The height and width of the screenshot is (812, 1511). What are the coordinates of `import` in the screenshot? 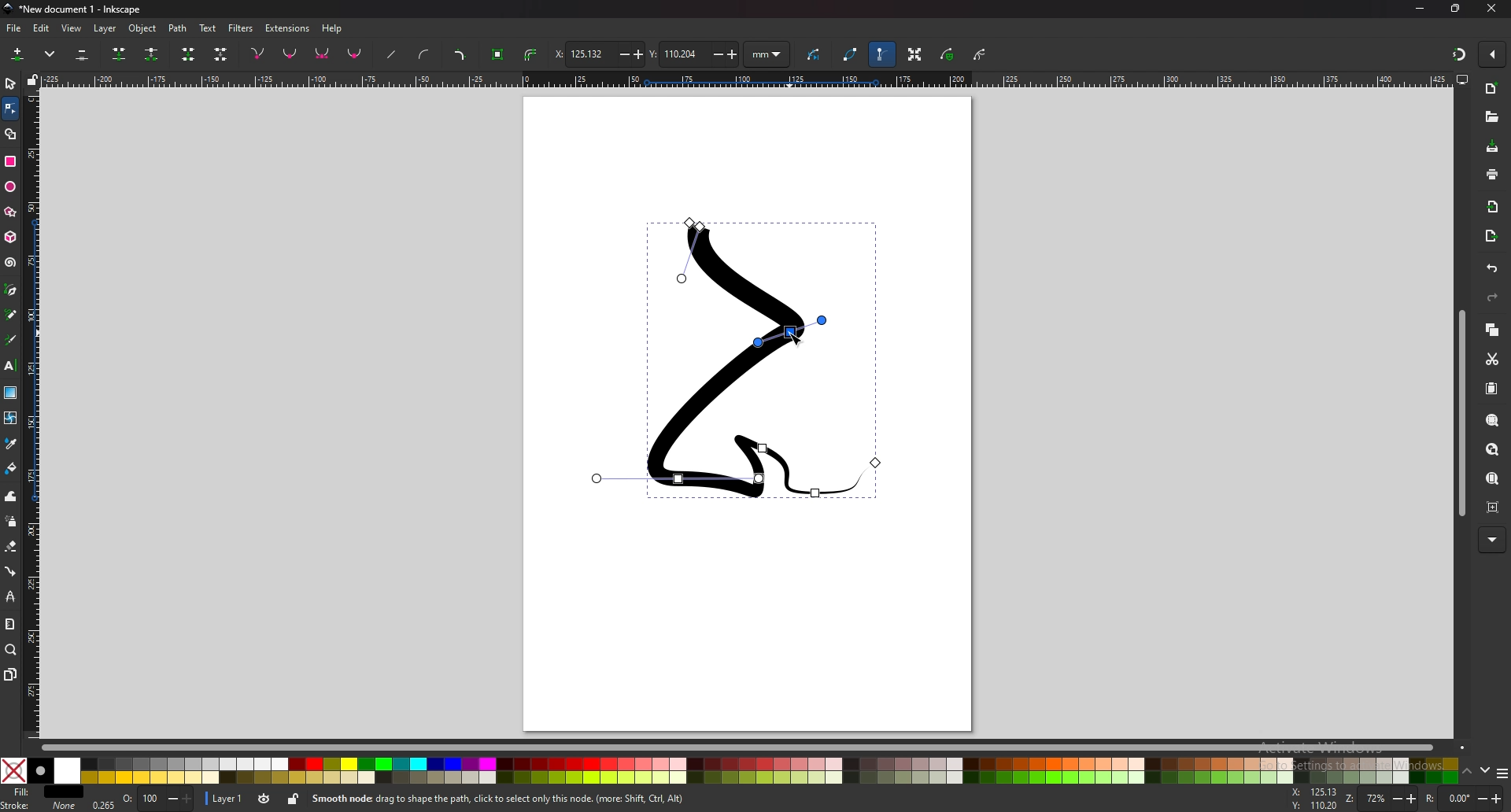 It's located at (1493, 206).